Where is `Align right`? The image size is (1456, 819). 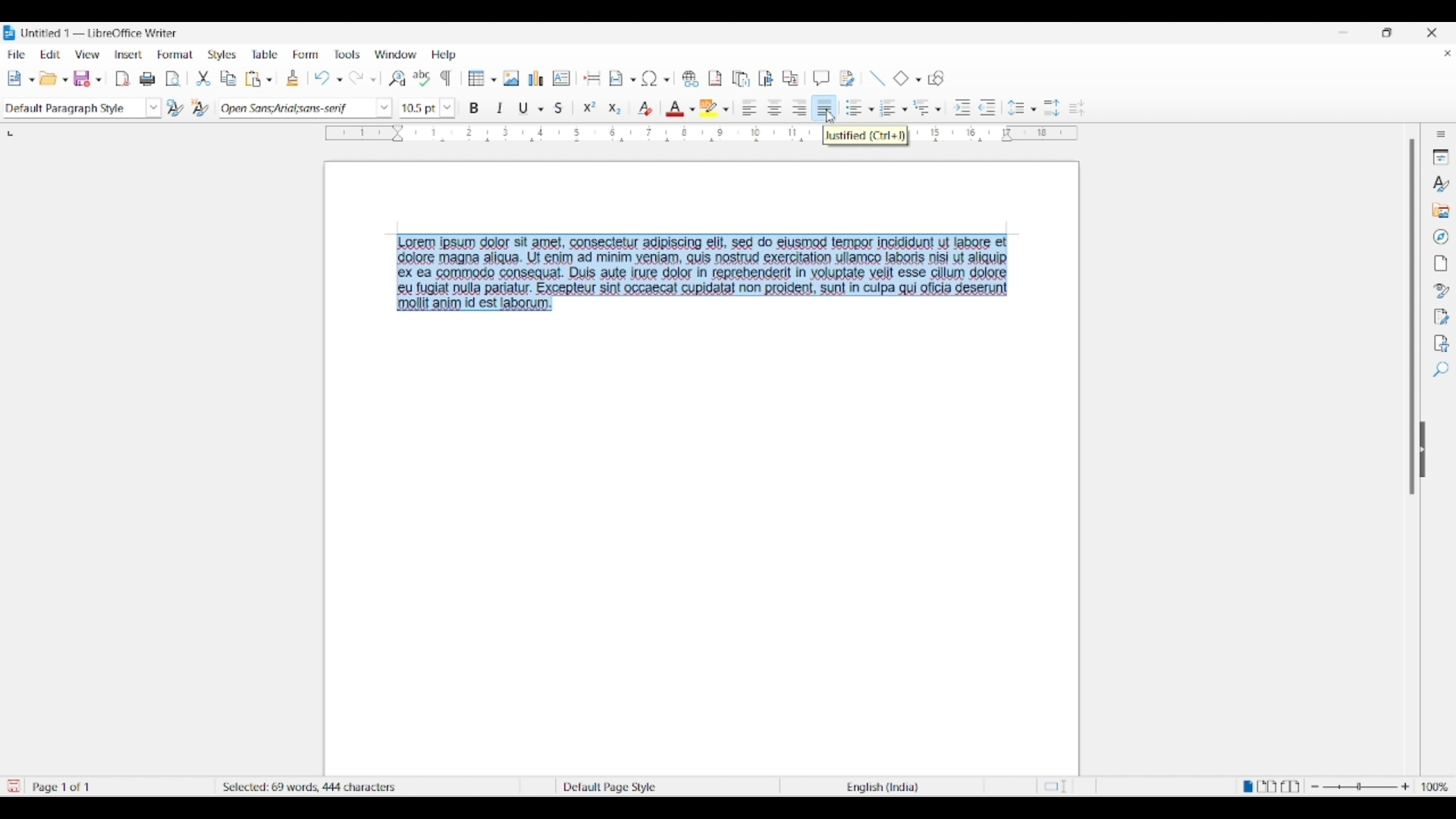 Align right is located at coordinates (800, 107).